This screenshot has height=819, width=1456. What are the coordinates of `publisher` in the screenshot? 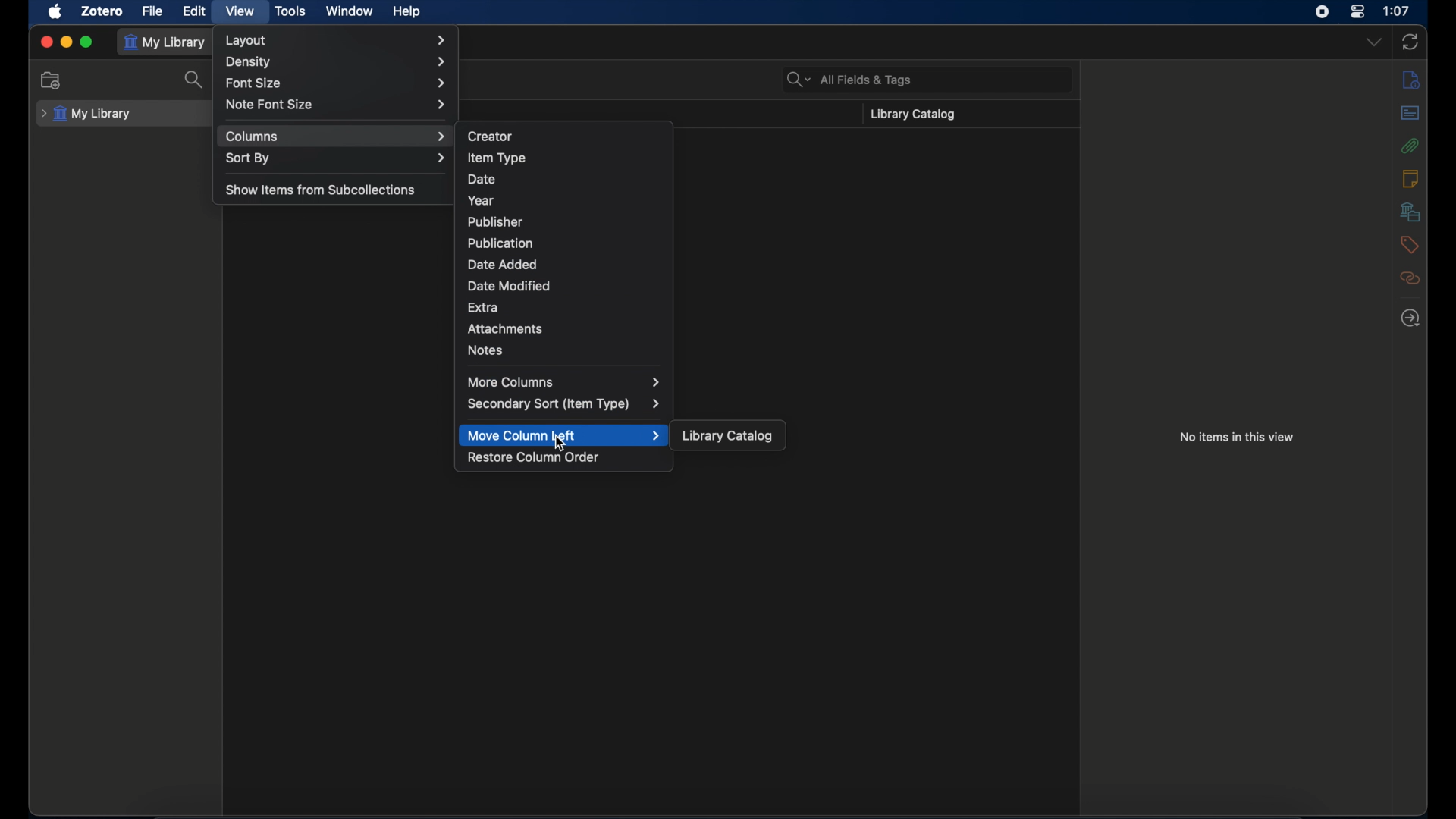 It's located at (495, 221).